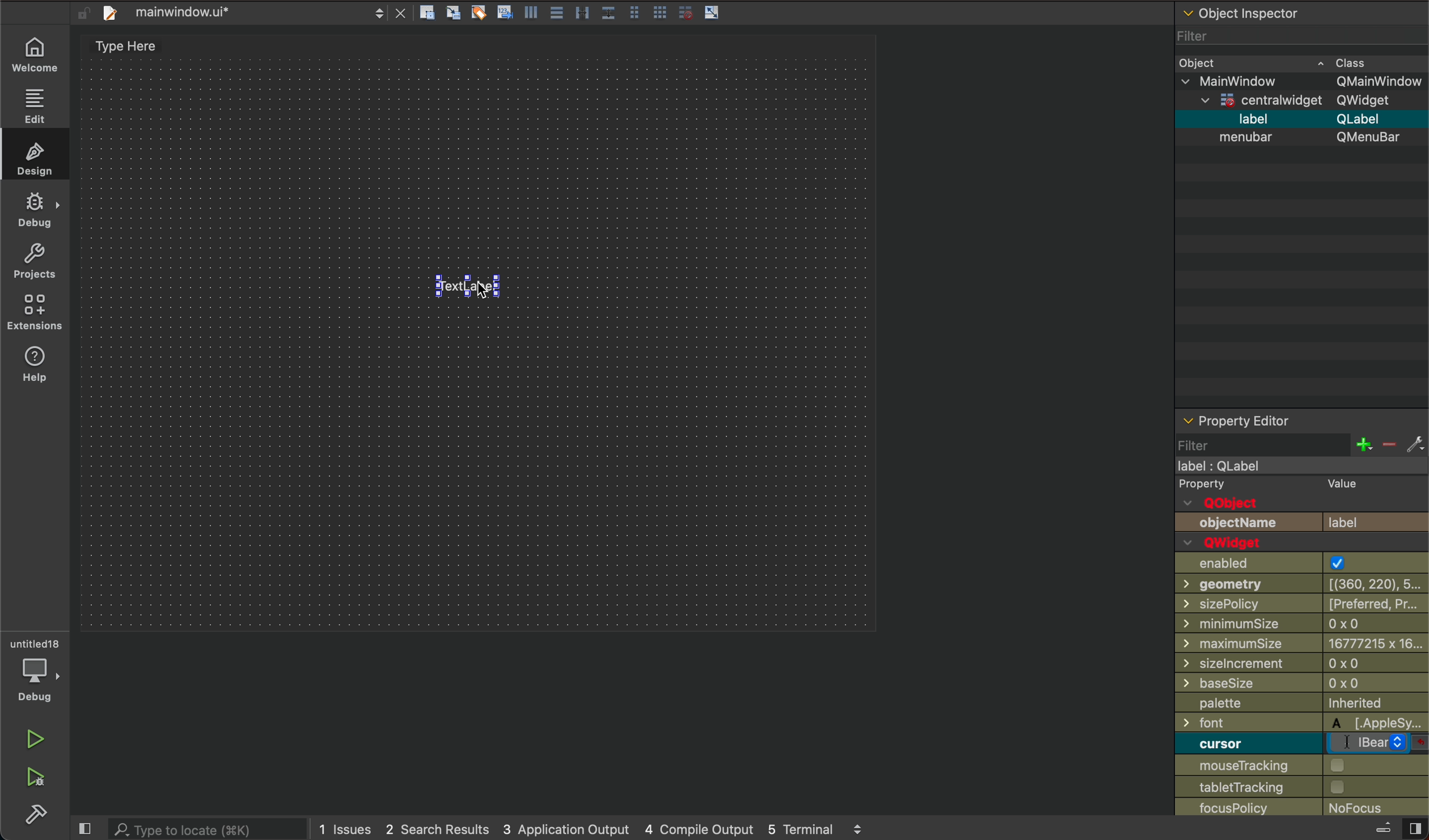 The image size is (1429, 840). What do you see at coordinates (577, 12) in the screenshot?
I see `layout actions` at bounding box center [577, 12].